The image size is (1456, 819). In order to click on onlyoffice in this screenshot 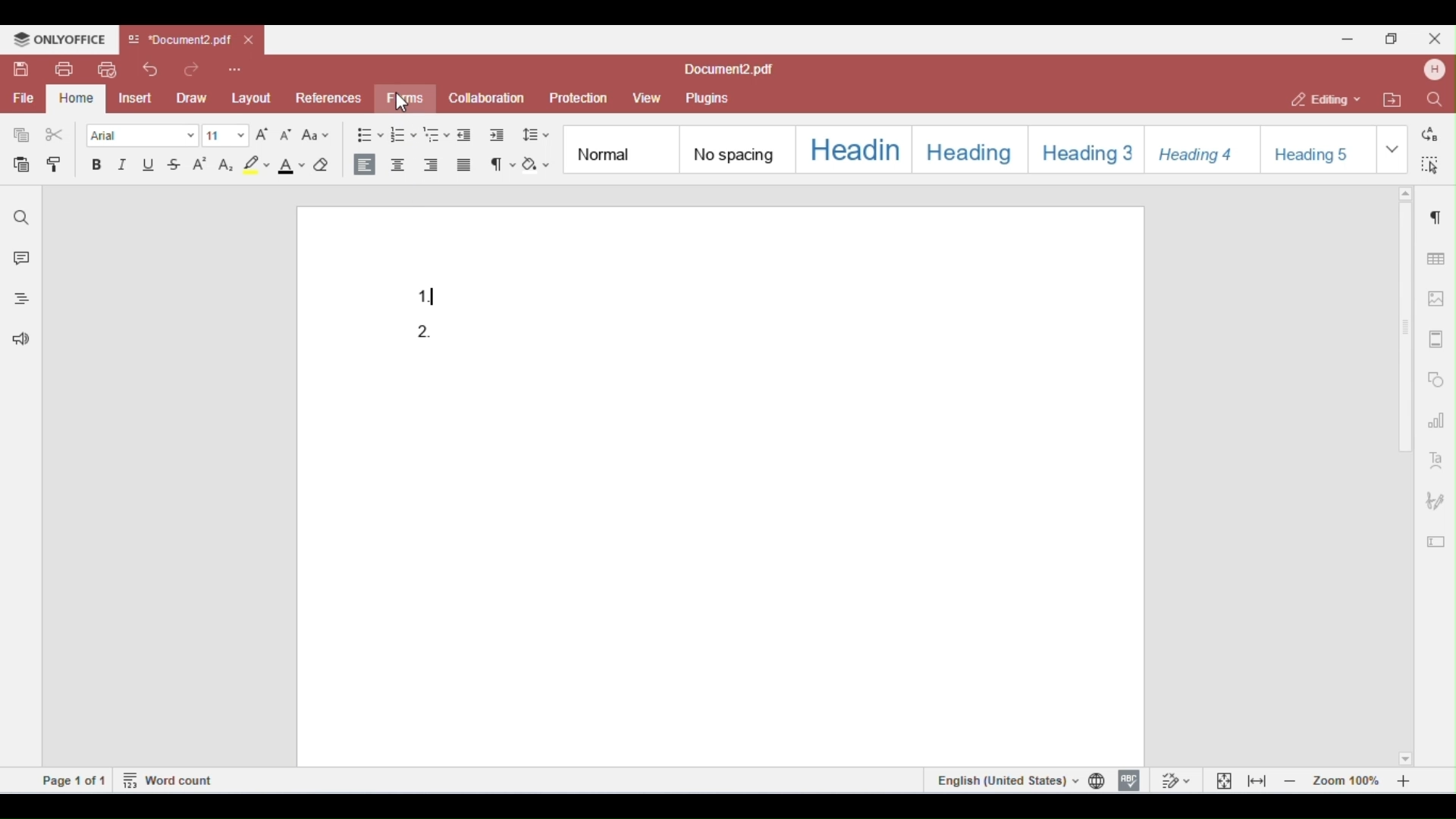, I will do `click(59, 39)`.